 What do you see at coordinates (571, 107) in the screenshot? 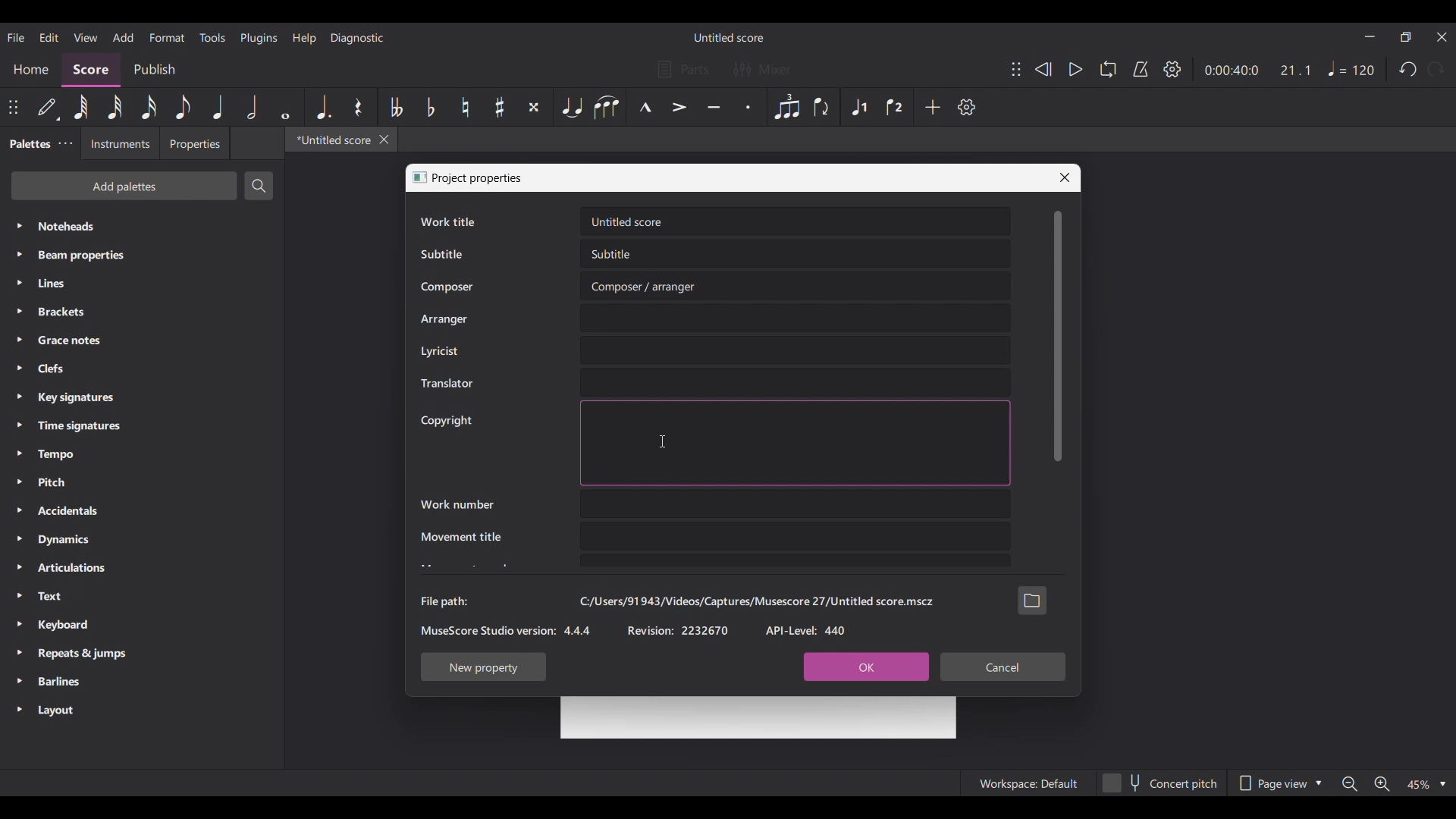
I see `Tie` at bounding box center [571, 107].